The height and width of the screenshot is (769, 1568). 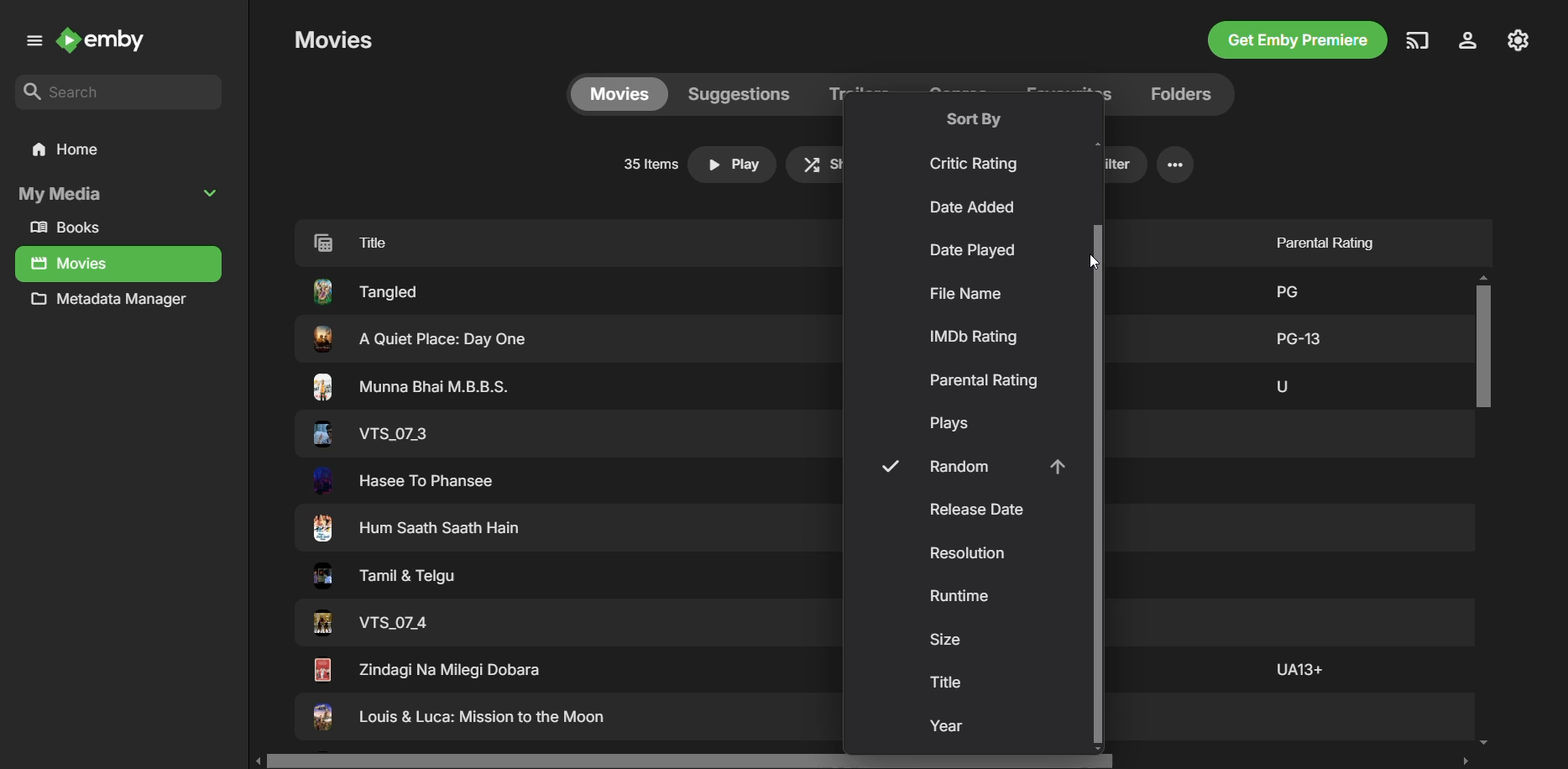 What do you see at coordinates (416, 339) in the screenshot?
I see `` at bounding box center [416, 339].